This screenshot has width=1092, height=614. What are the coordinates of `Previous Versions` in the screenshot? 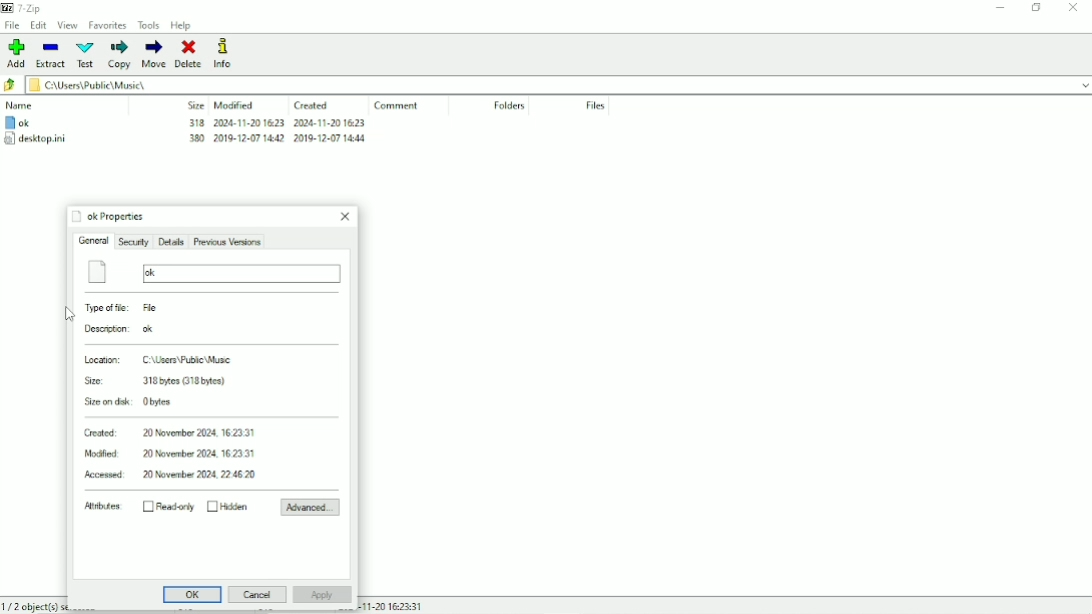 It's located at (228, 241).